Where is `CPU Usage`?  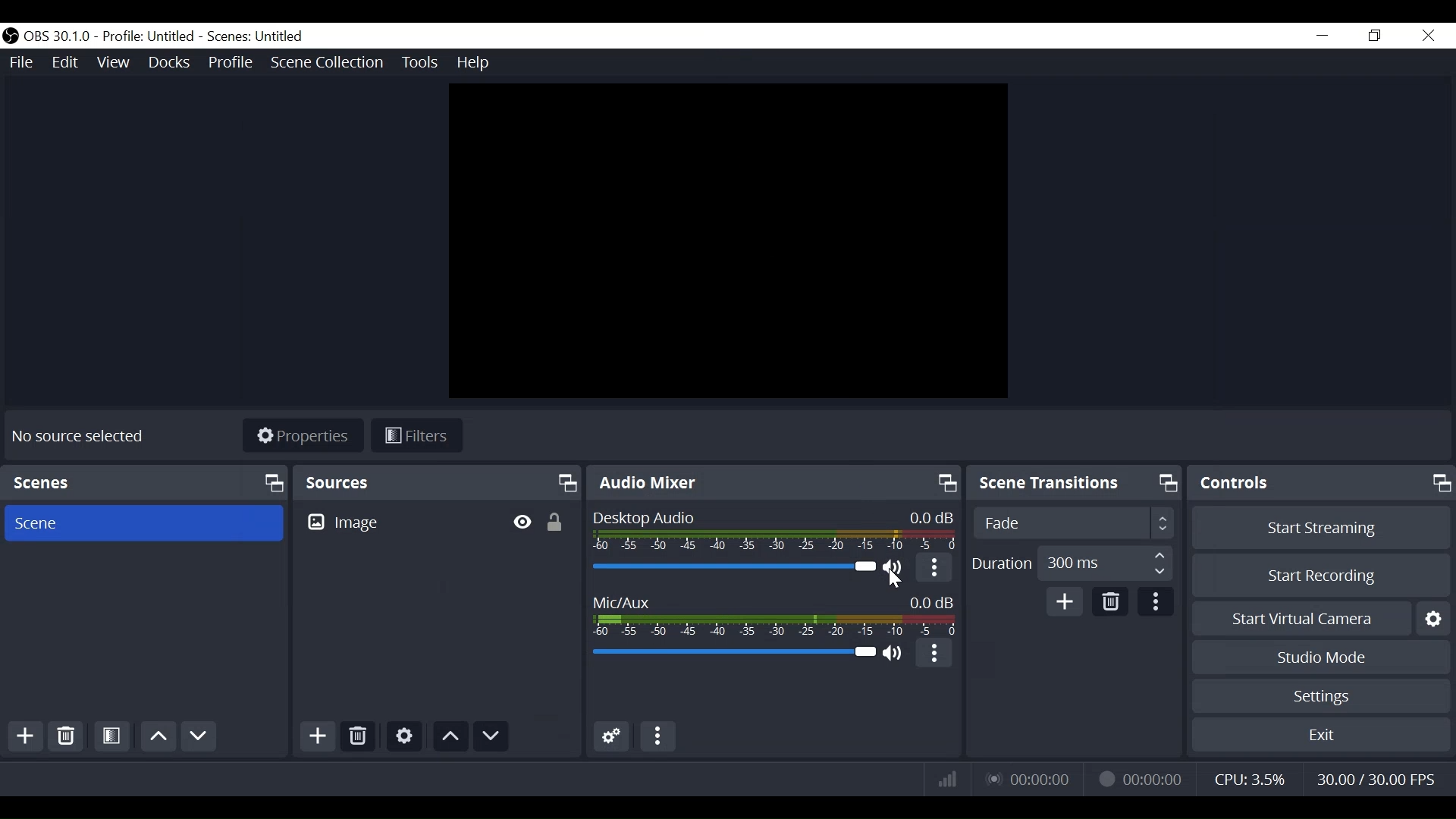
CPU Usage is located at coordinates (1254, 777).